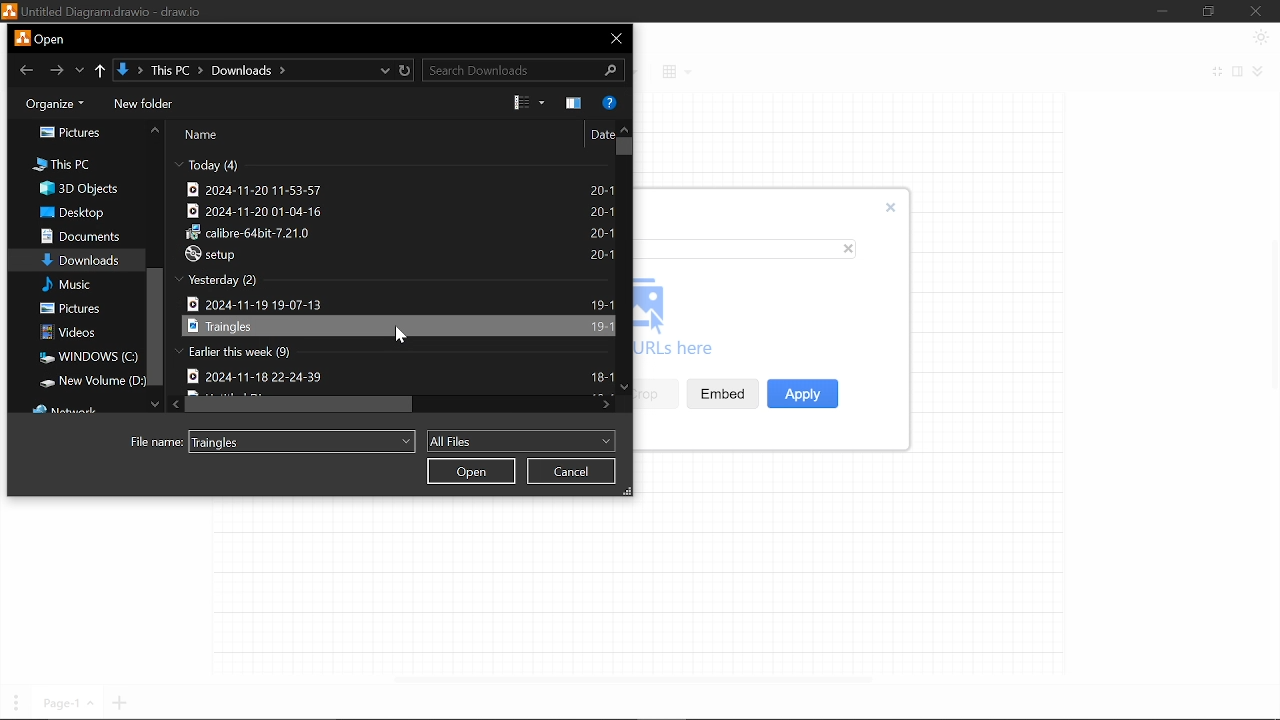 The width and height of the screenshot is (1280, 720). Describe the element at coordinates (674, 71) in the screenshot. I see `Table` at that location.